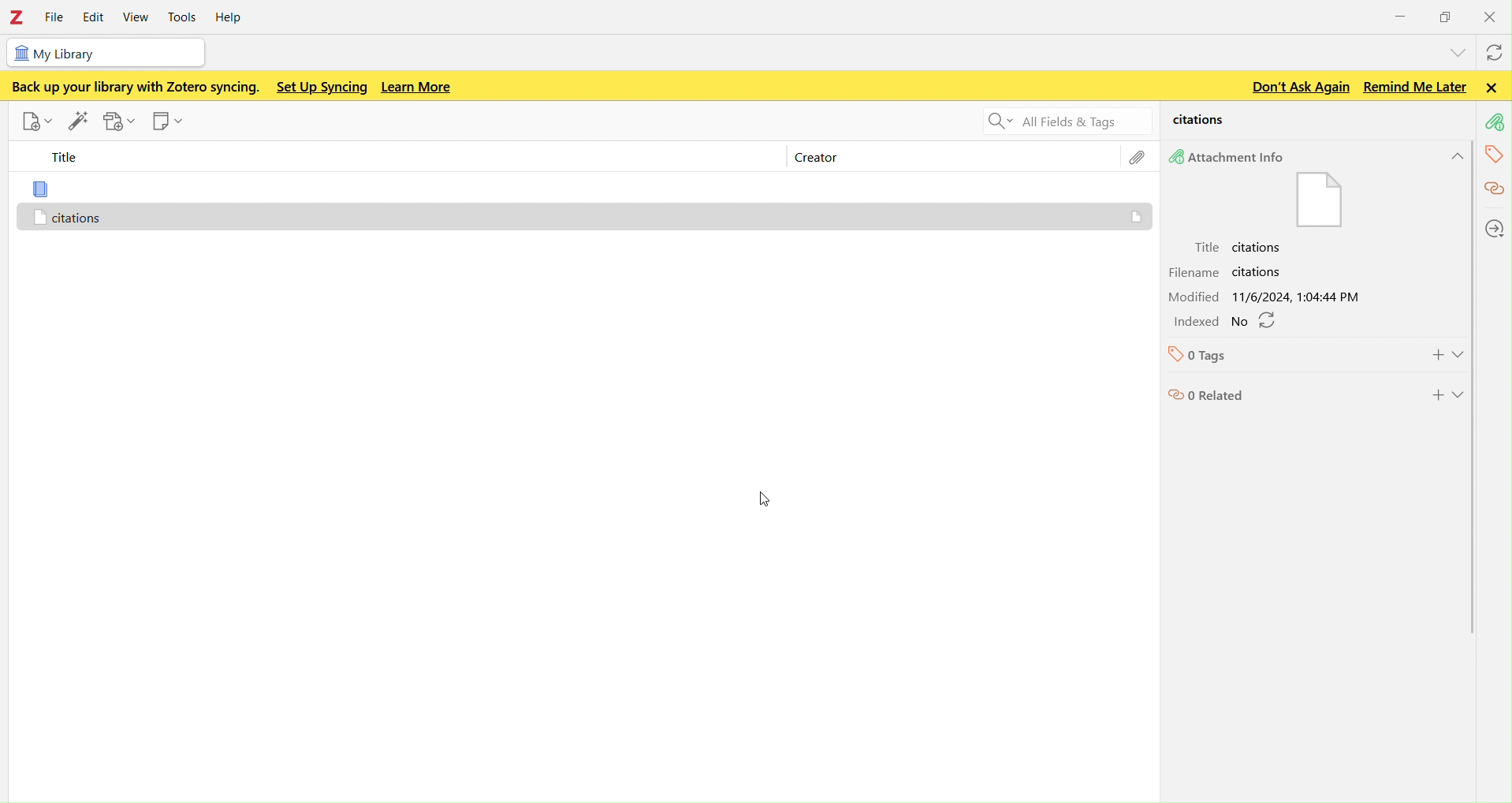 This screenshot has width=1512, height=803. What do you see at coordinates (187, 15) in the screenshot?
I see `tools` at bounding box center [187, 15].